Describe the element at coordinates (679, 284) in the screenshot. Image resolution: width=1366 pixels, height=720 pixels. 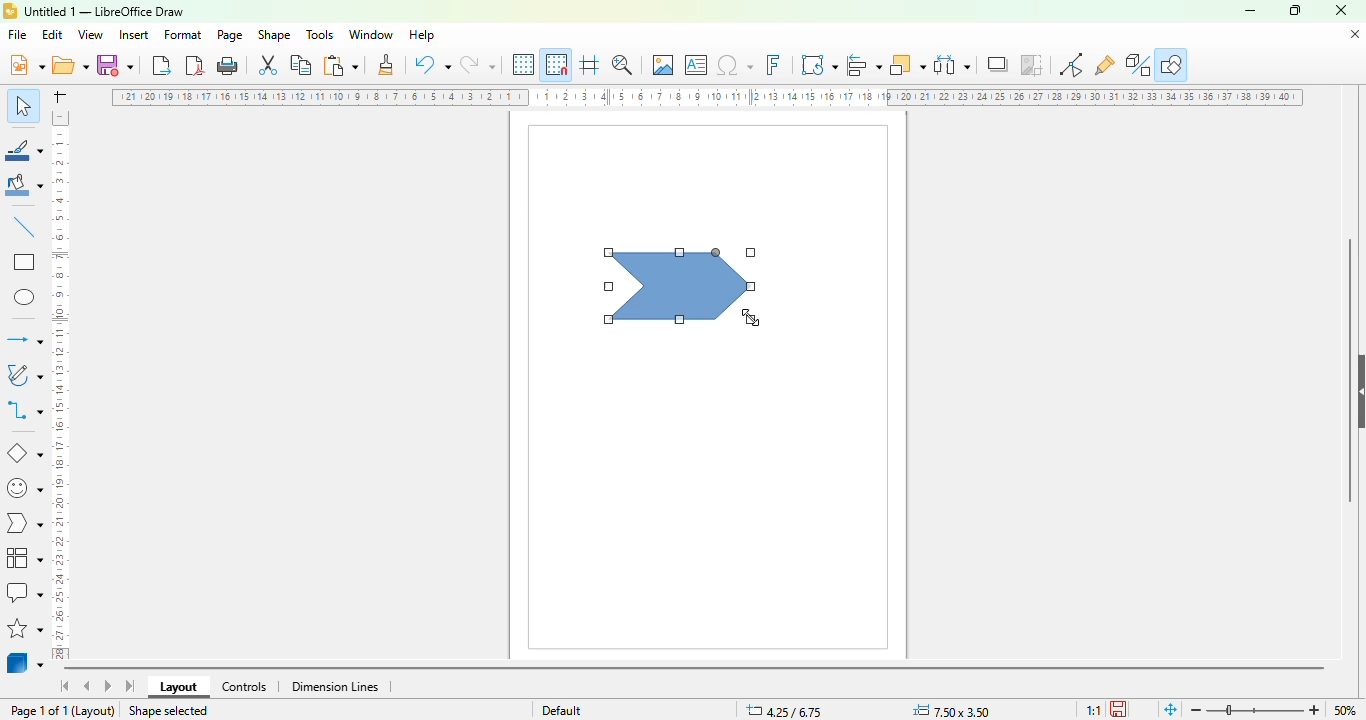
I see `chevron arrow shape inserted` at that location.